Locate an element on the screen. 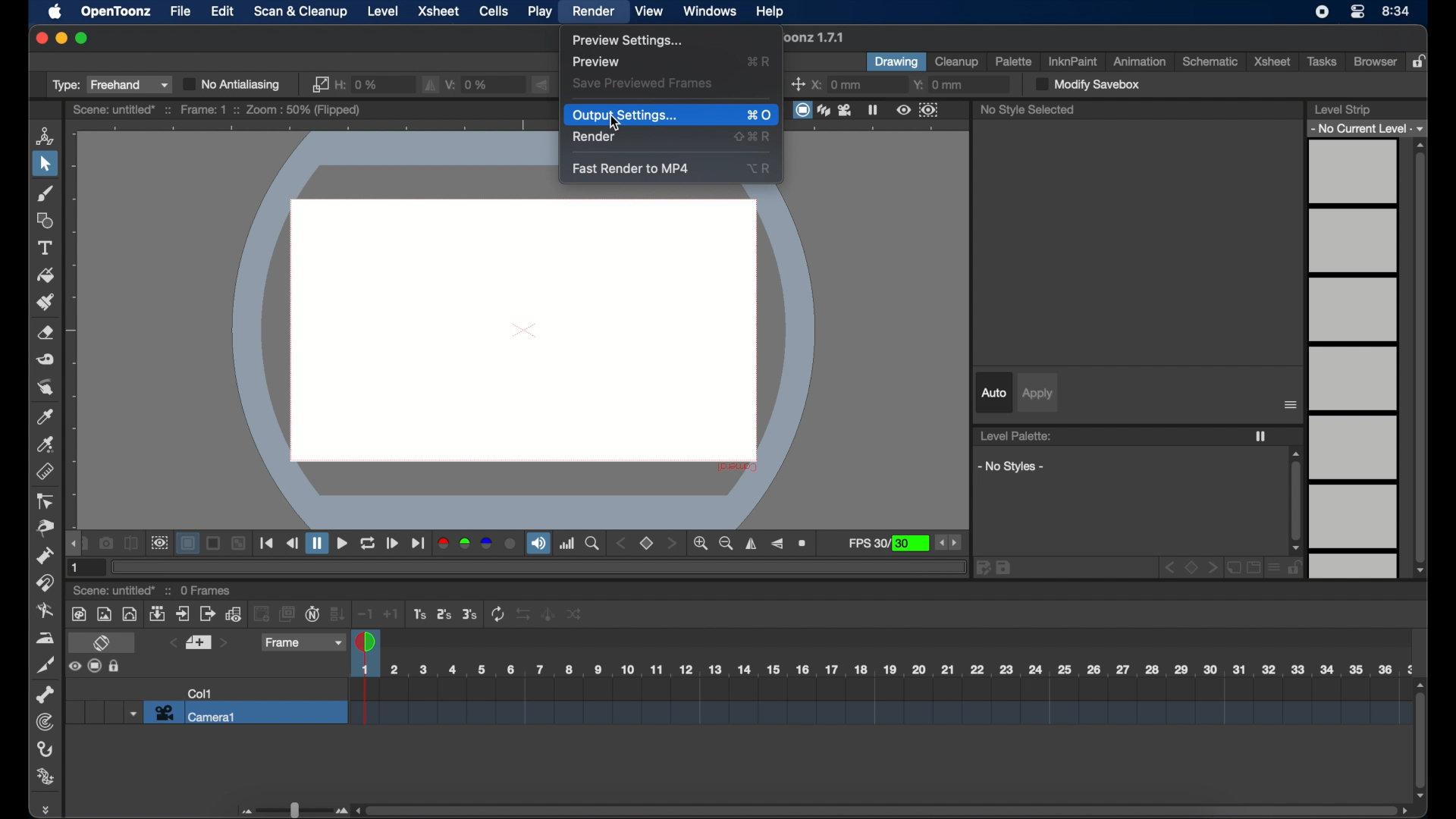 The width and height of the screenshot is (1456, 819). scroll box is located at coordinates (1421, 739).